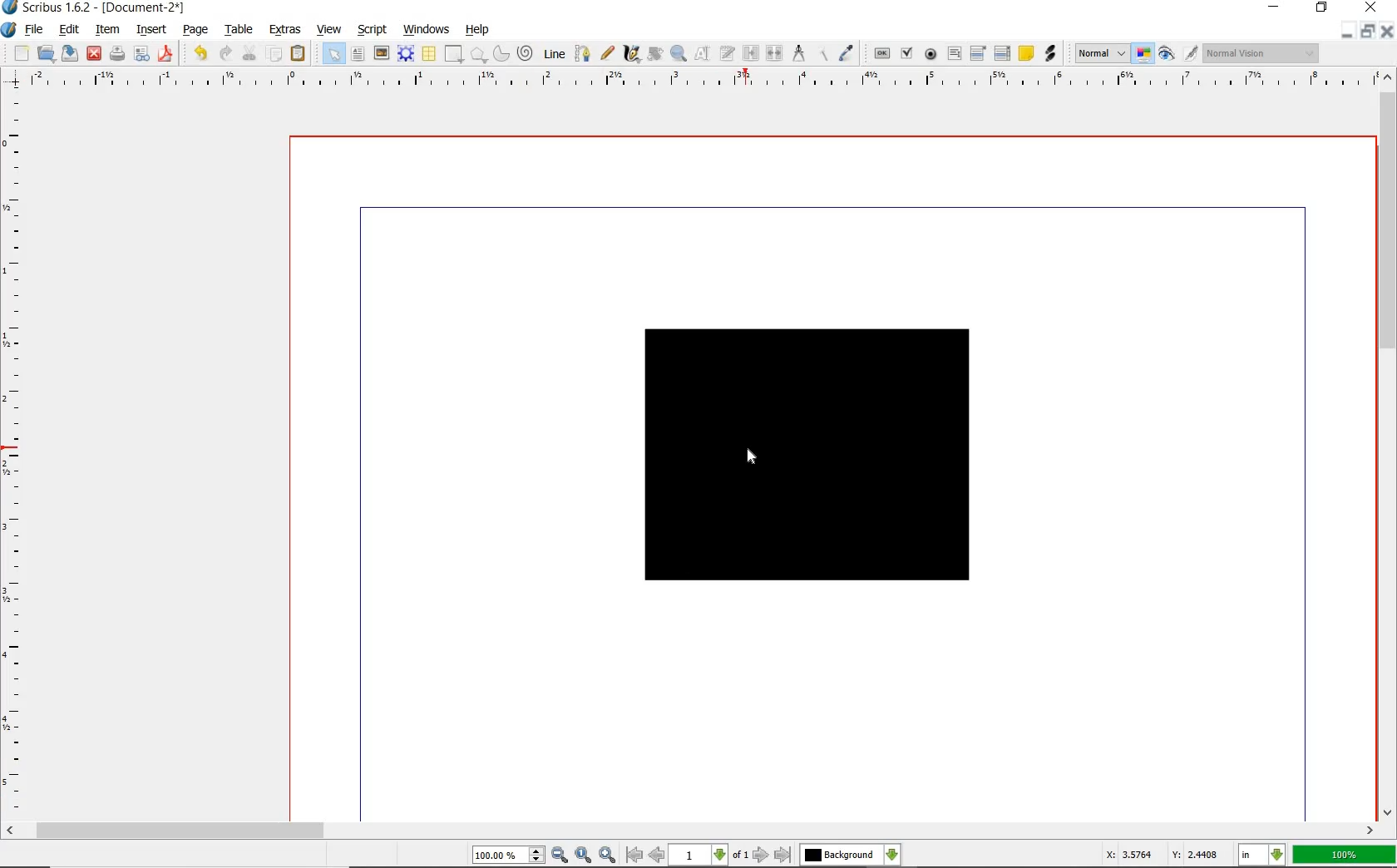  I want to click on scrollbar, so click(1387, 445).